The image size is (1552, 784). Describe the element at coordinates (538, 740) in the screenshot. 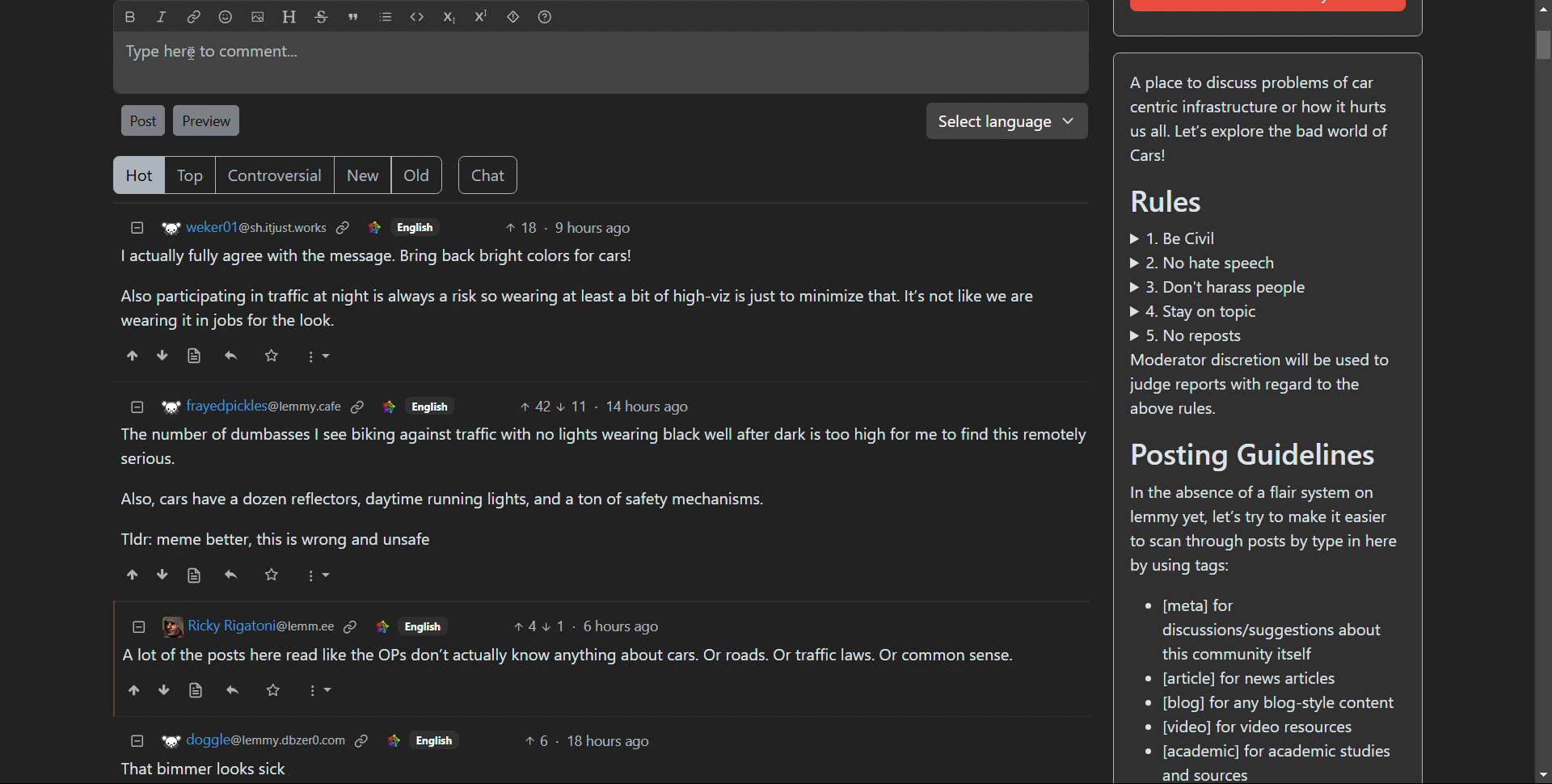

I see `upvotes 6` at that location.